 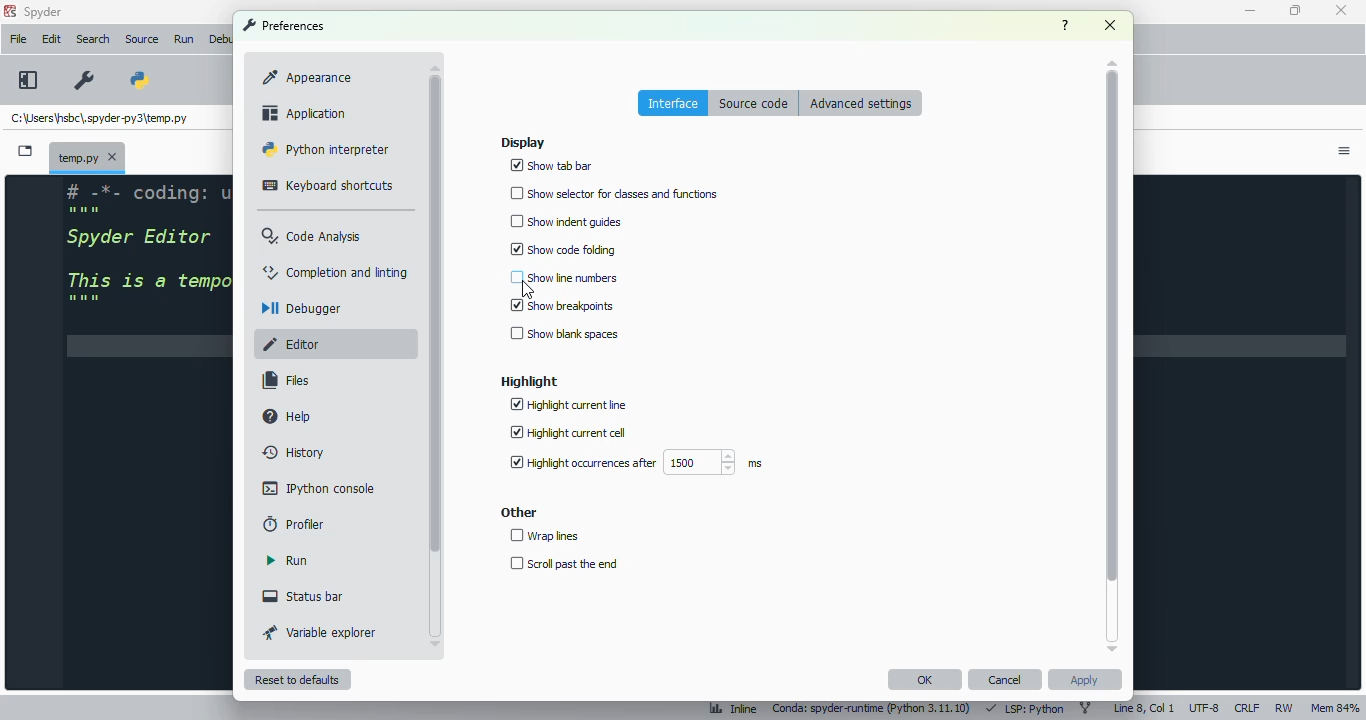 What do you see at coordinates (1086, 679) in the screenshot?
I see `apply` at bounding box center [1086, 679].